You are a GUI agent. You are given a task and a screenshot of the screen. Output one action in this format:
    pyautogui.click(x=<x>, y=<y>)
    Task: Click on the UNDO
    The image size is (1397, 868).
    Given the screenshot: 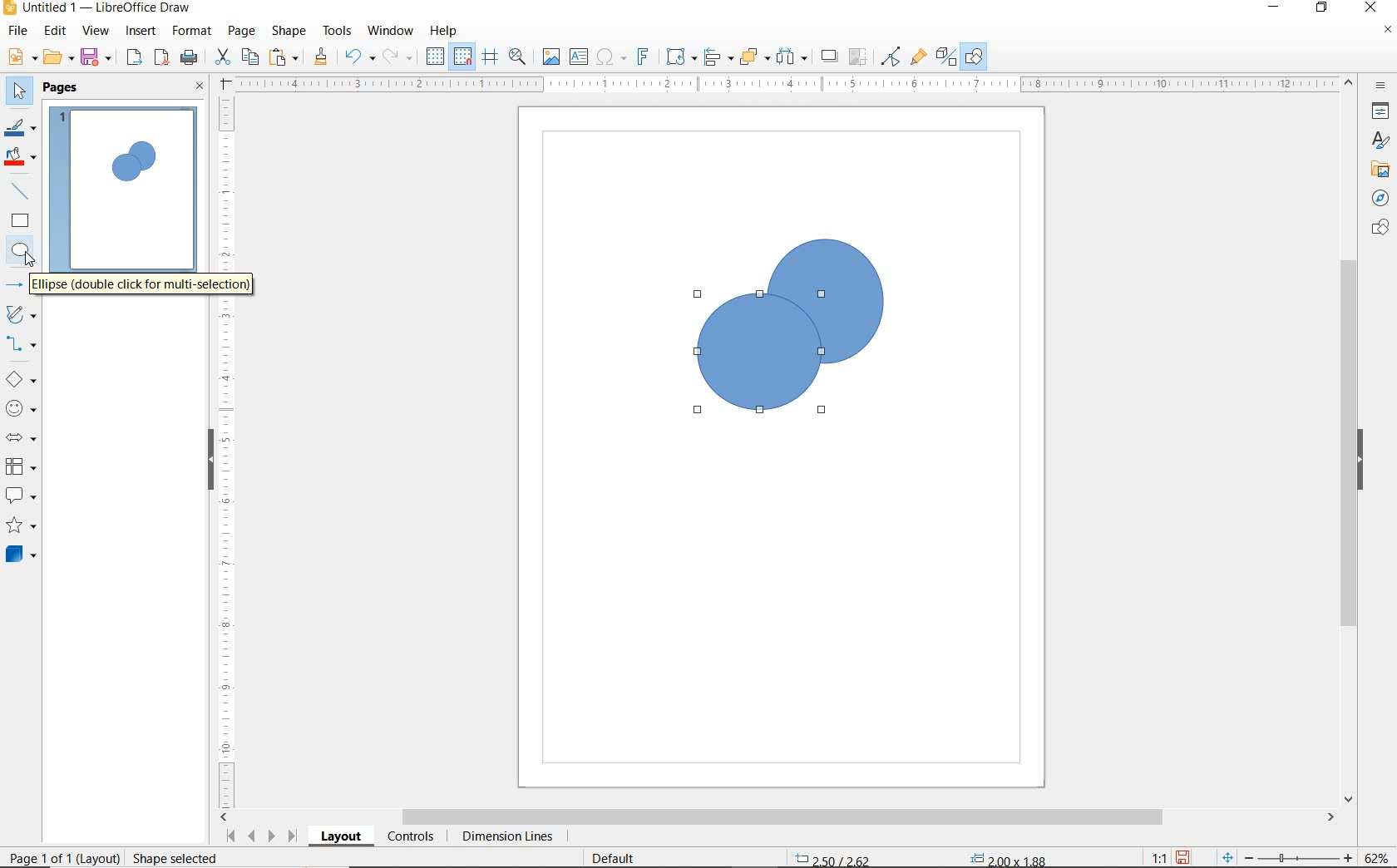 What is the action you would take?
    pyautogui.click(x=359, y=58)
    